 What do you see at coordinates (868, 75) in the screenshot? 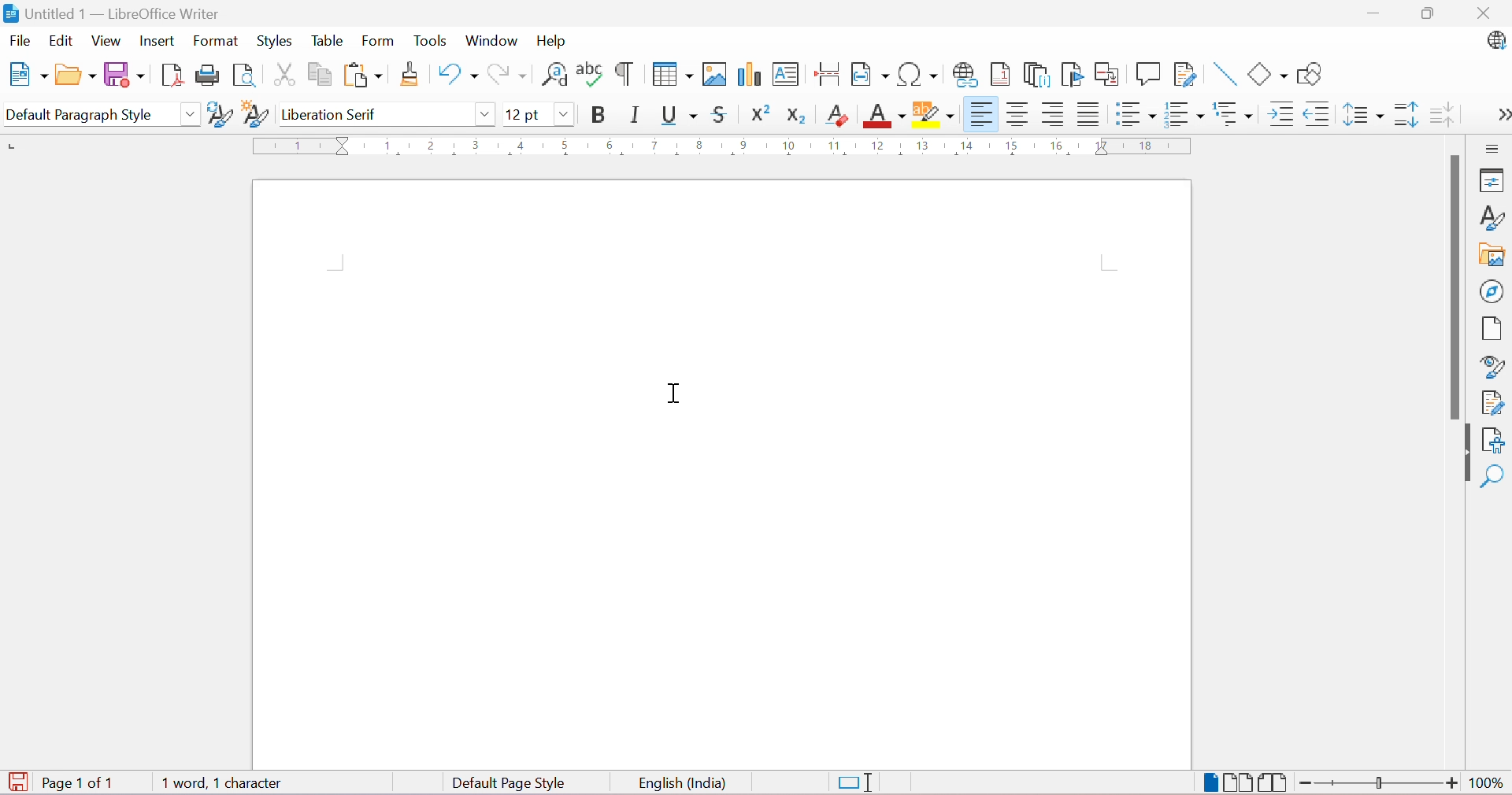
I see `Insert Field` at bounding box center [868, 75].